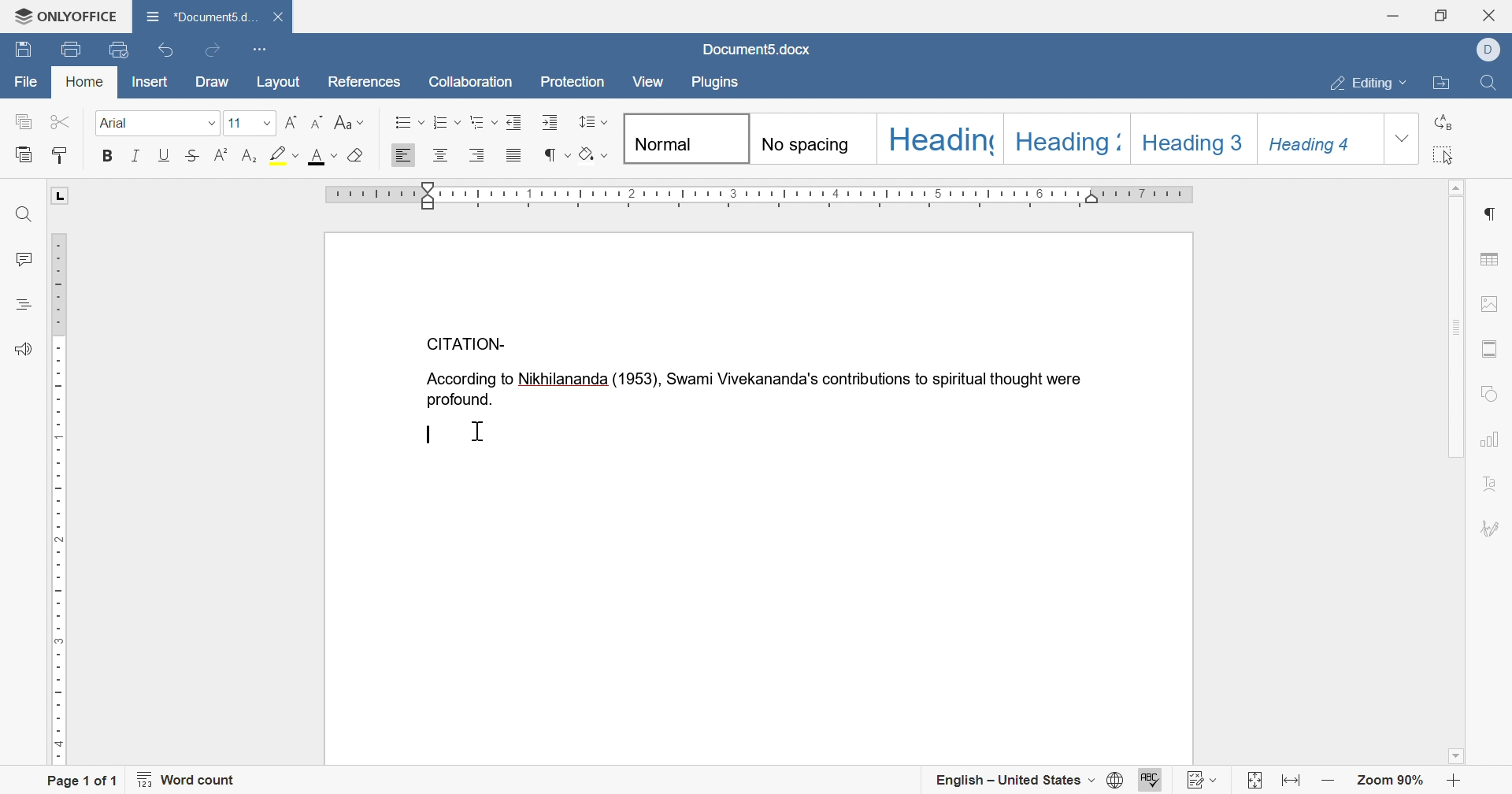 Image resolution: width=1512 pixels, height=794 pixels. Describe the element at coordinates (591, 156) in the screenshot. I see `clear style` at that location.